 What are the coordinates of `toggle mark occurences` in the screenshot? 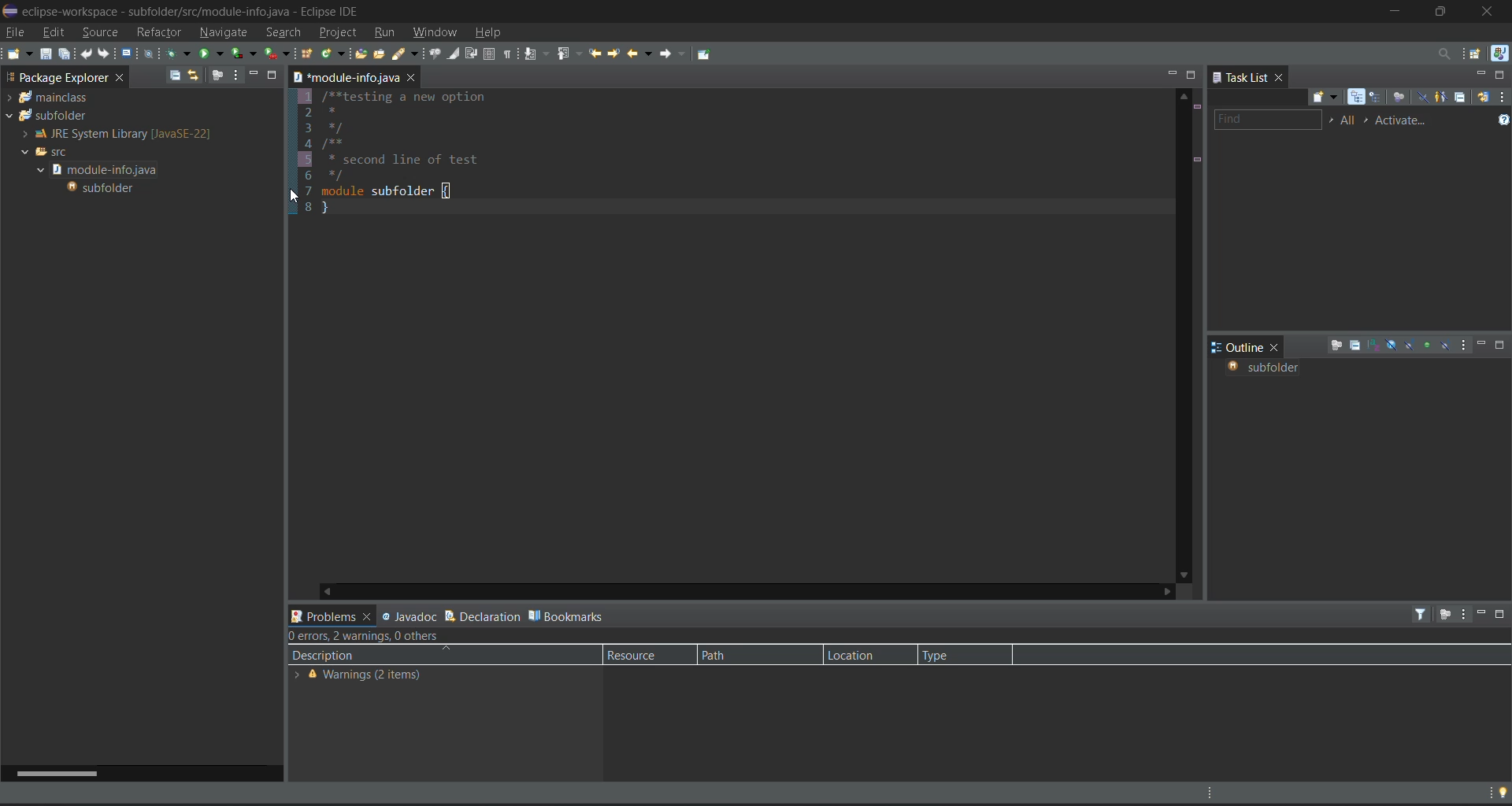 It's located at (455, 54).